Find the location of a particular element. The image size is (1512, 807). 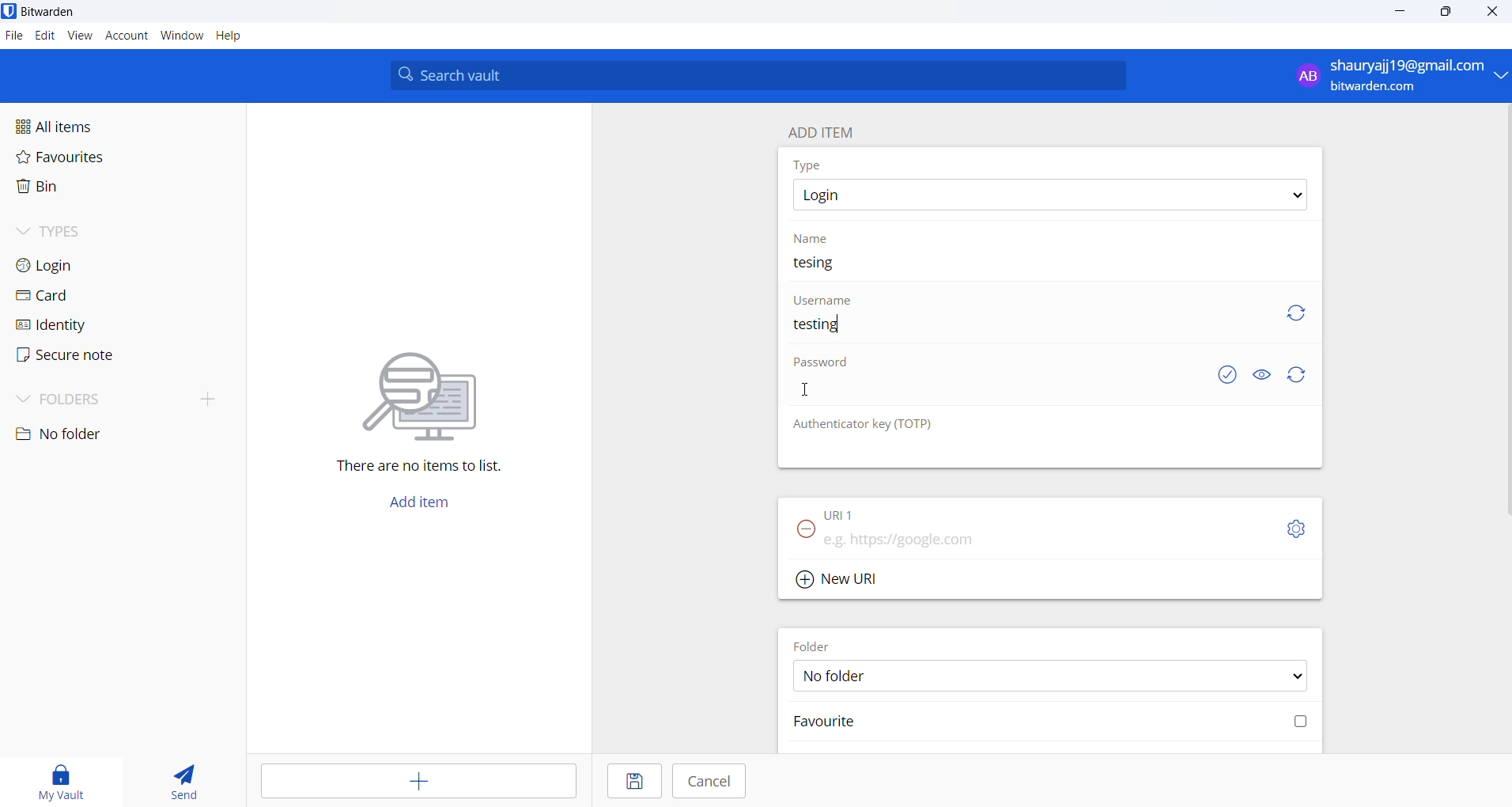

application logo is located at coordinates (9, 10).